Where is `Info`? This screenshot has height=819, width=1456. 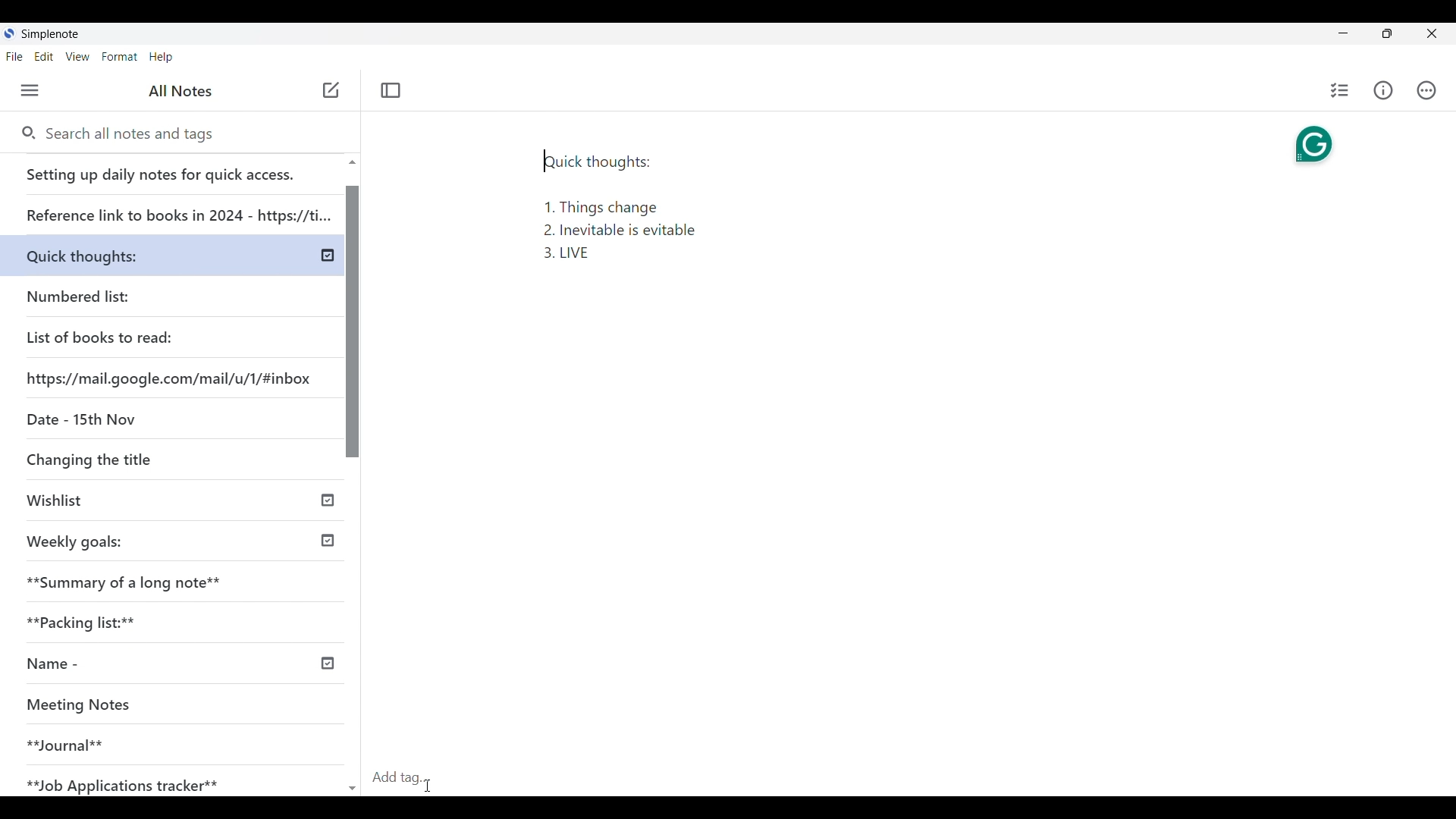
Info is located at coordinates (1382, 91).